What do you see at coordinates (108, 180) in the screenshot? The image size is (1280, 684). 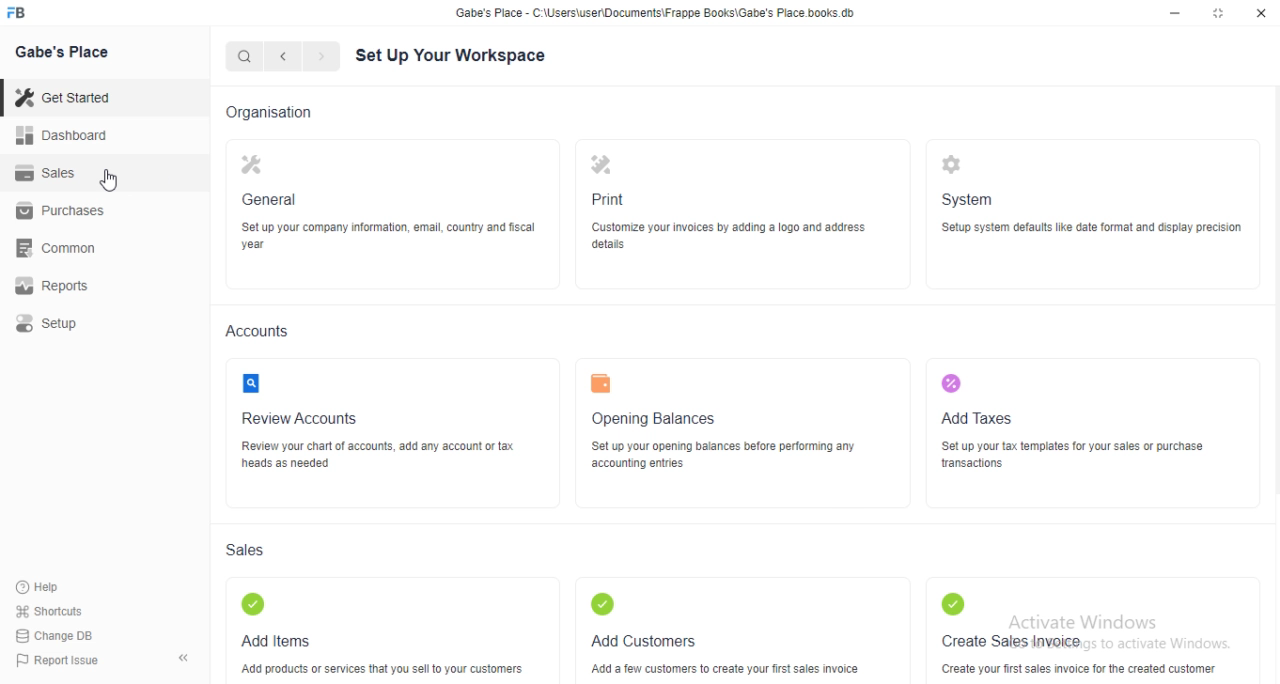 I see `cursor` at bounding box center [108, 180].